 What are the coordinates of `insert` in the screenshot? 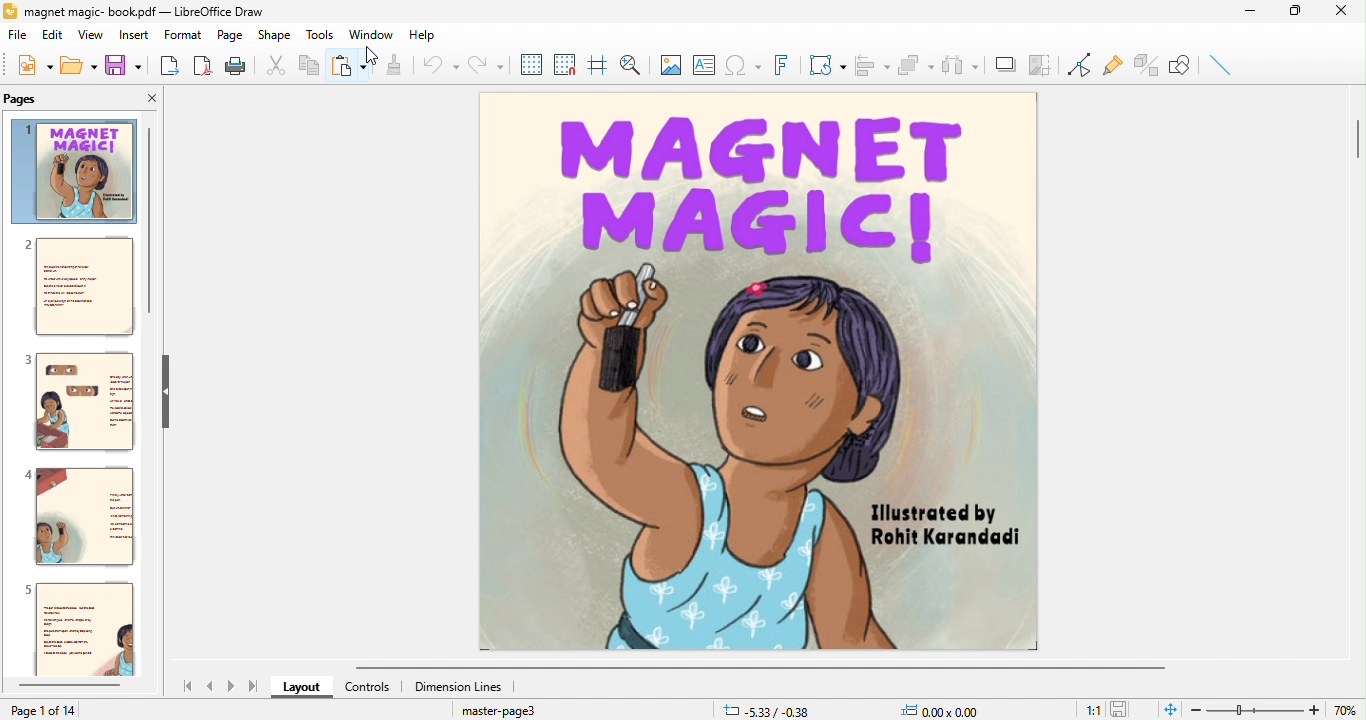 It's located at (135, 37).